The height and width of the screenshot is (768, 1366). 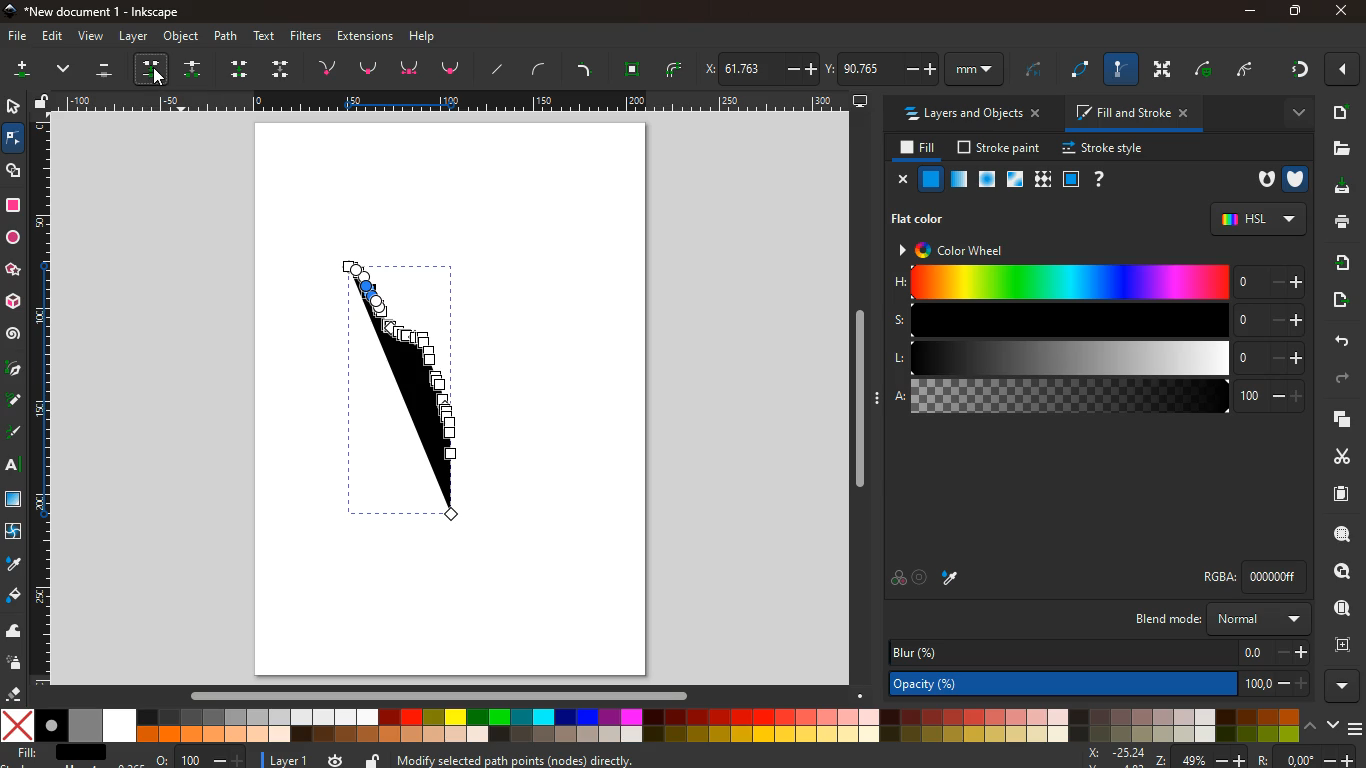 What do you see at coordinates (90, 37) in the screenshot?
I see `view` at bounding box center [90, 37].